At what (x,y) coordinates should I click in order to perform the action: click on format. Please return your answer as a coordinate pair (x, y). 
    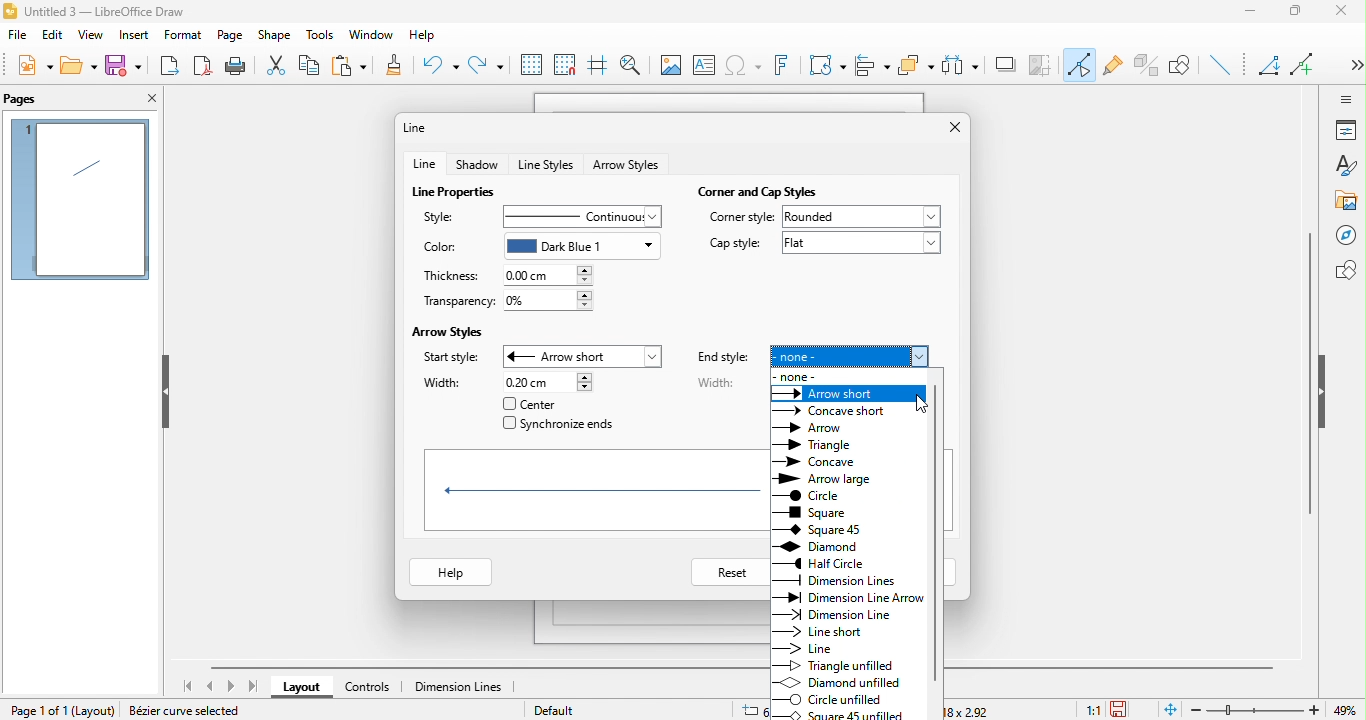
    Looking at the image, I should click on (181, 35).